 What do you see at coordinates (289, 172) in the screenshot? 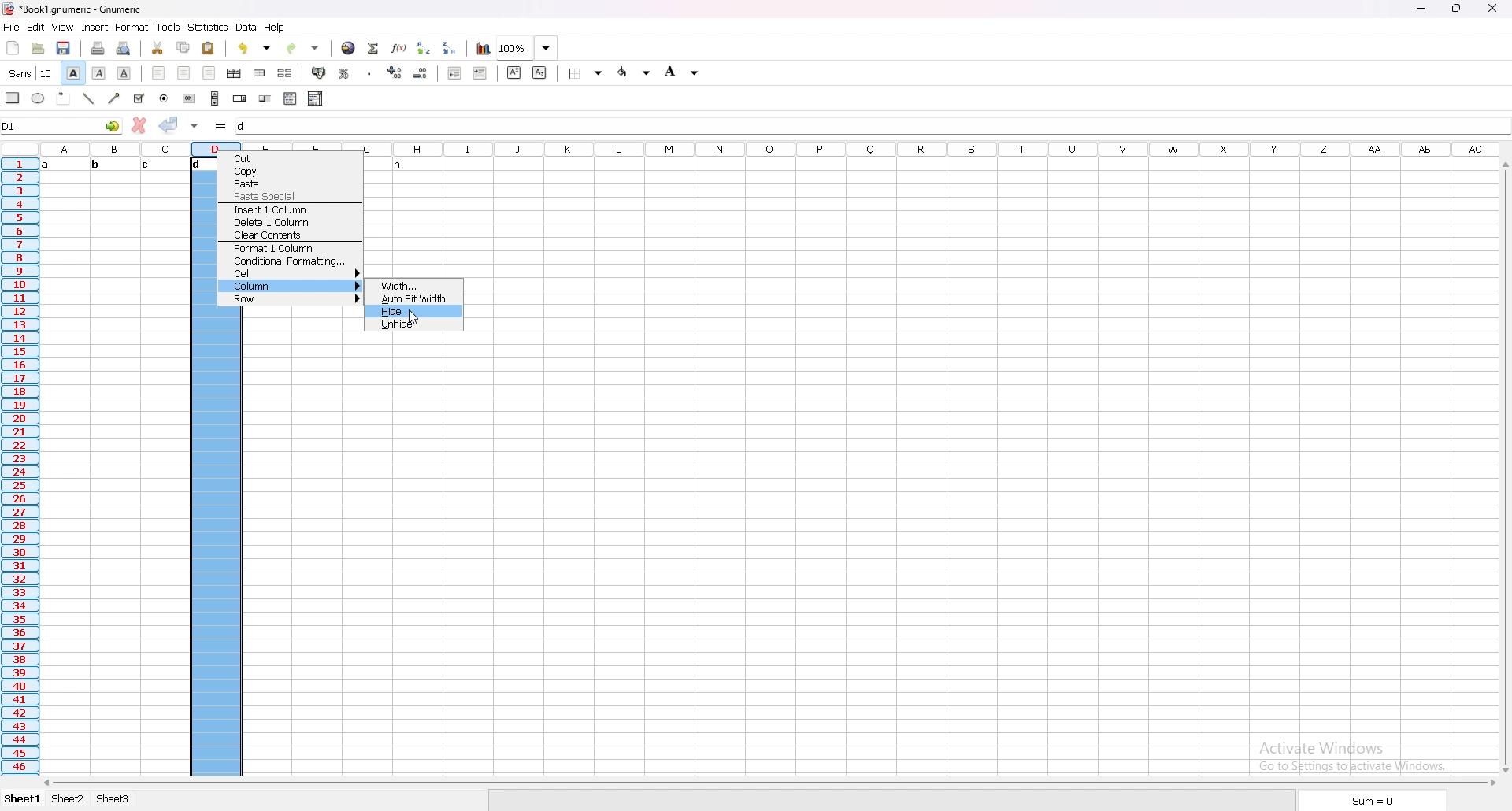
I see `copy` at bounding box center [289, 172].